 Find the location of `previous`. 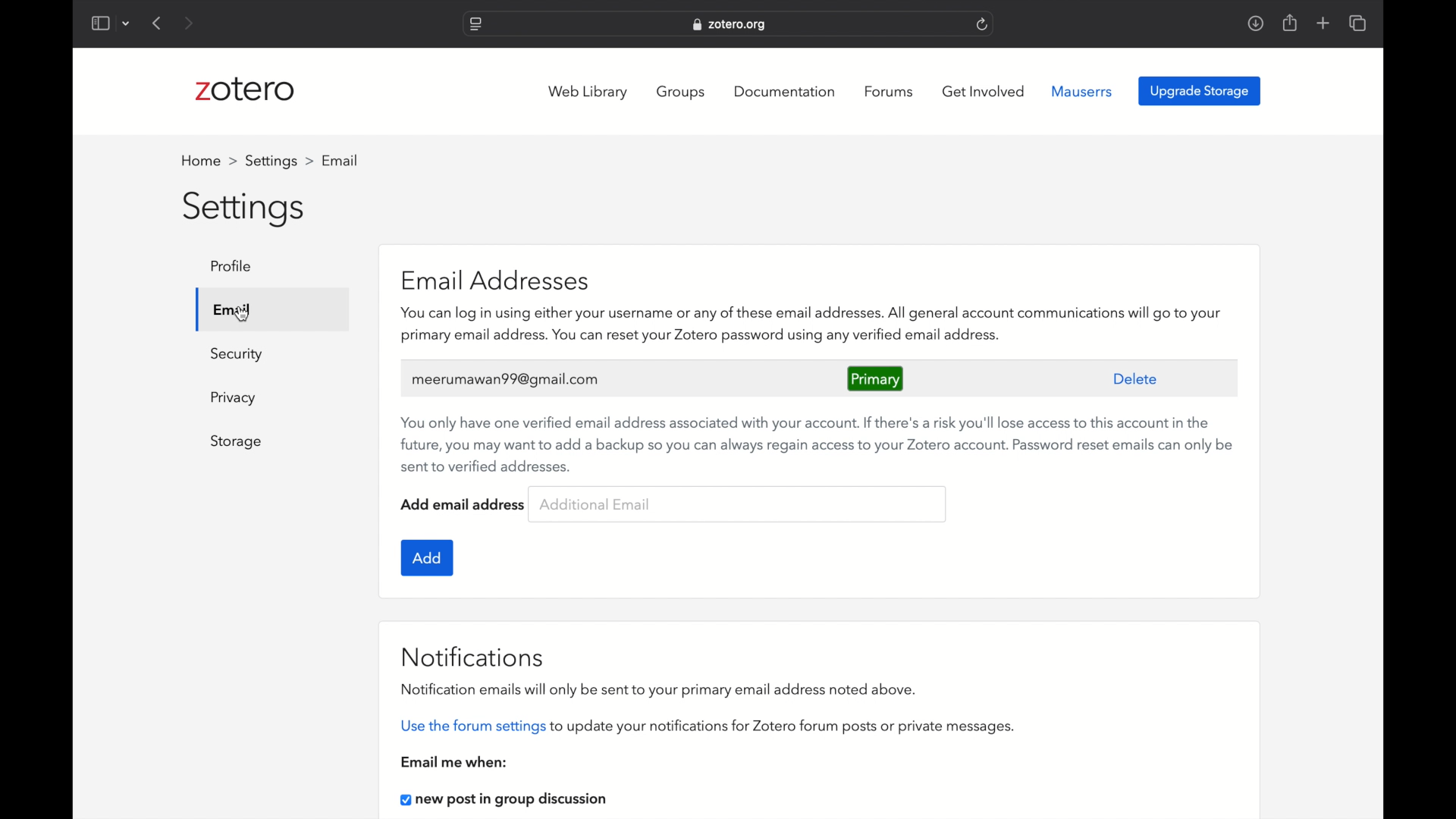

previous is located at coordinates (158, 23).